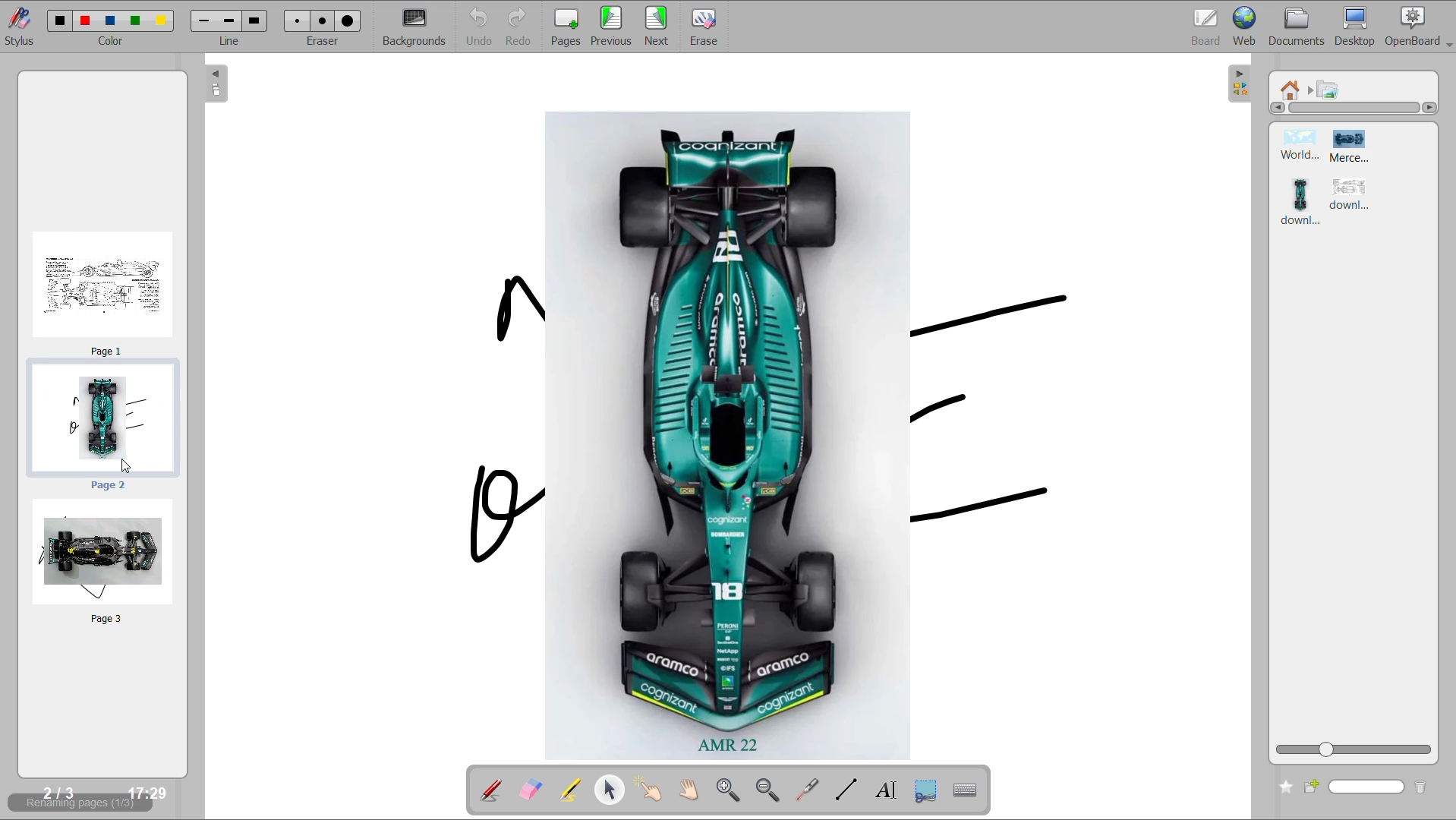  I want to click on Medium eraser, so click(322, 20).